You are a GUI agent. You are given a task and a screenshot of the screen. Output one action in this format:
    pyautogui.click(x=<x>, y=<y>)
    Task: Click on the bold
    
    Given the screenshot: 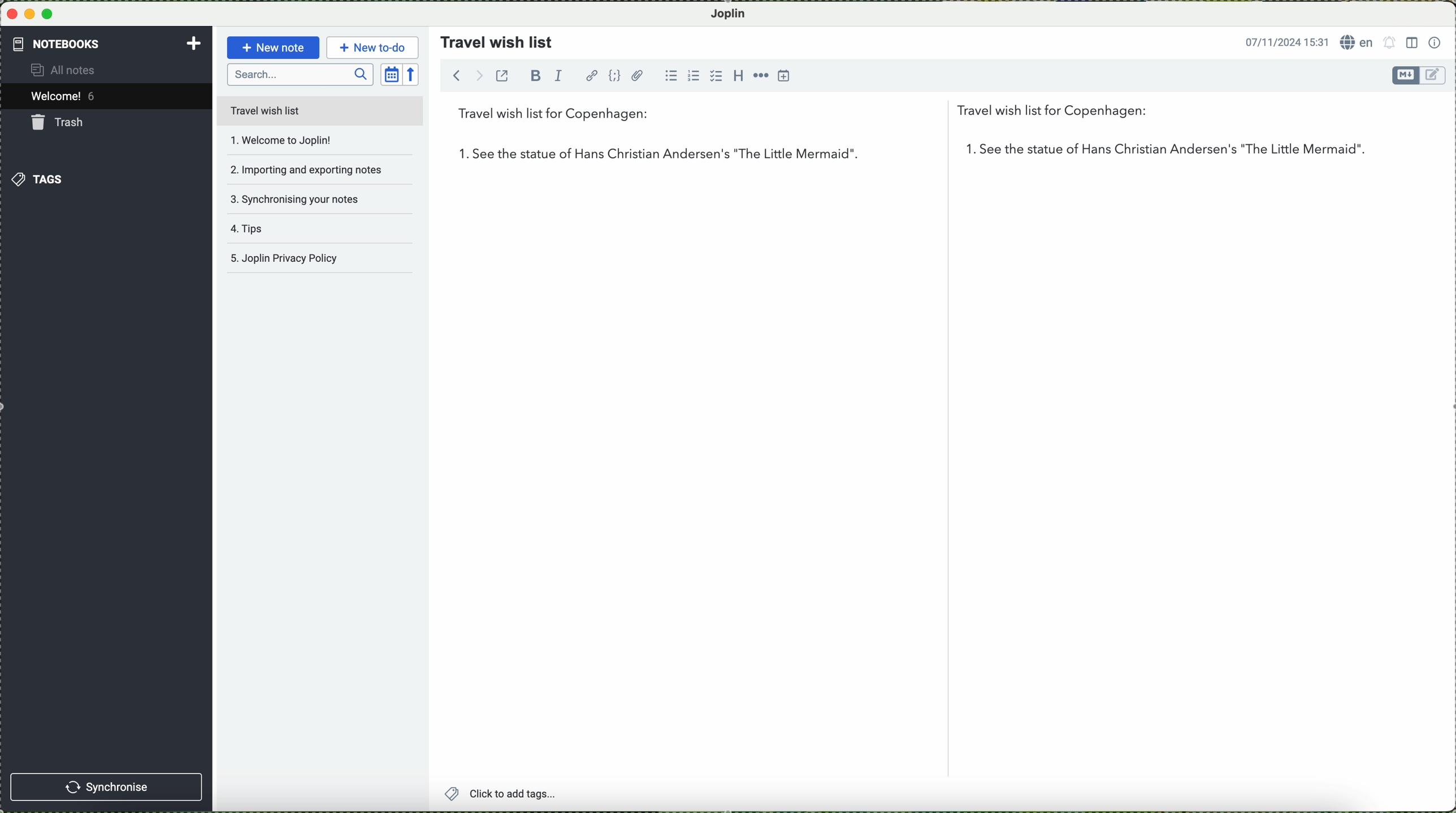 What is the action you would take?
    pyautogui.click(x=536, y=75)
    